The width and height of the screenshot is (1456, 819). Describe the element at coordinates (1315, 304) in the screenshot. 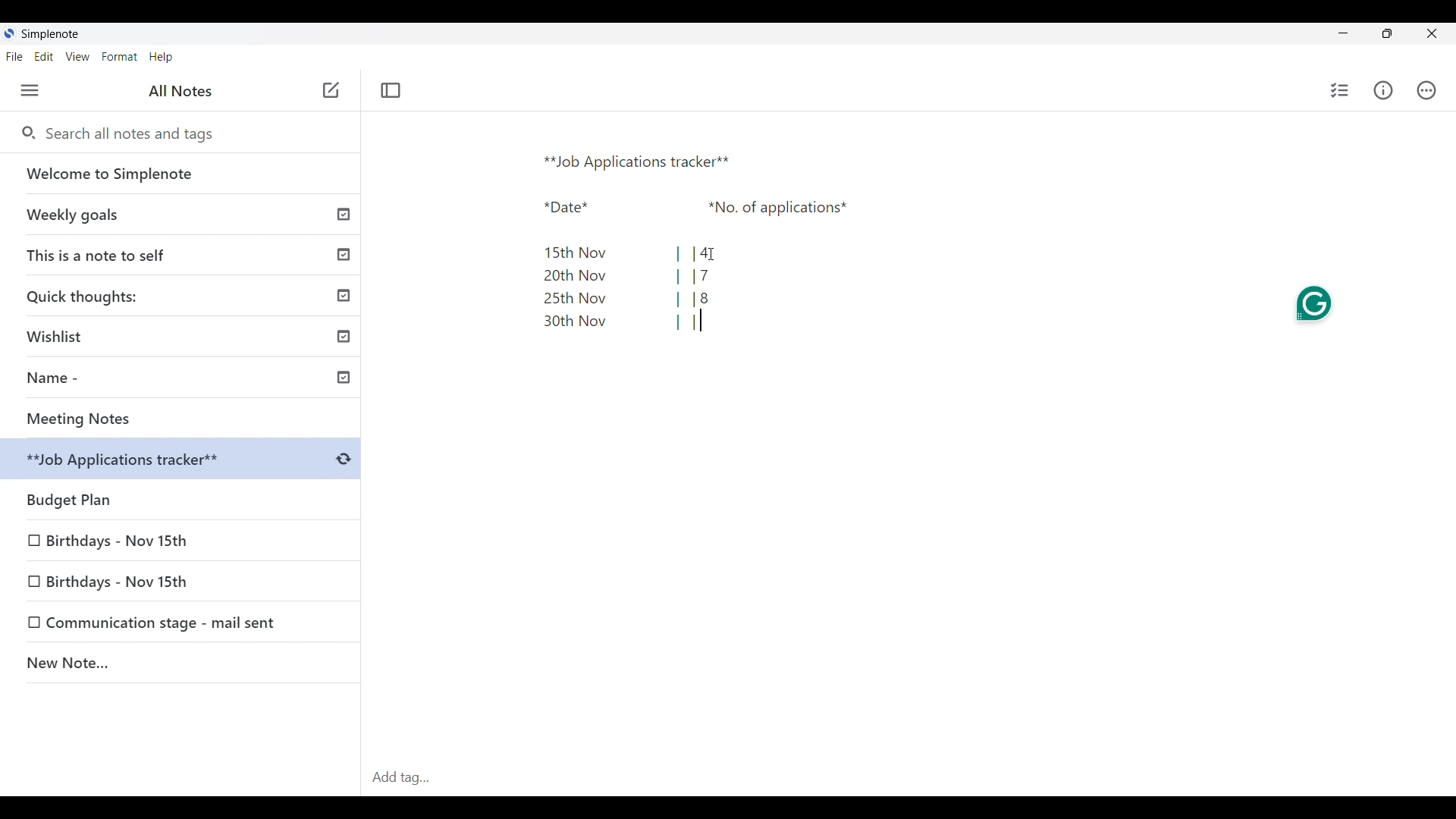

I see `Grammarly extension on` at that location.